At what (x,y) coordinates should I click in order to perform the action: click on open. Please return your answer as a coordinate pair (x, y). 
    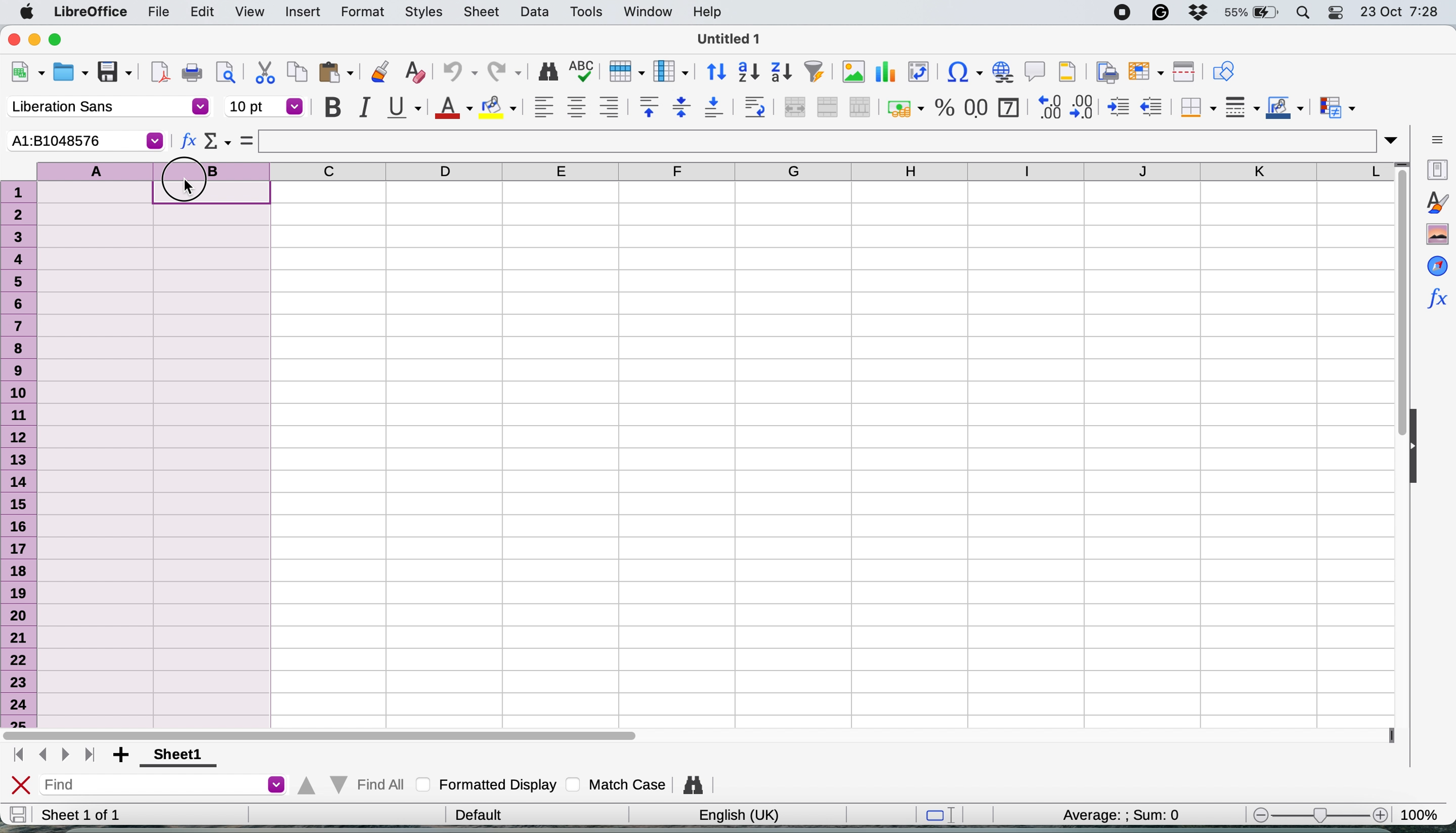
    Looking at the image, I should click on (73, 72).